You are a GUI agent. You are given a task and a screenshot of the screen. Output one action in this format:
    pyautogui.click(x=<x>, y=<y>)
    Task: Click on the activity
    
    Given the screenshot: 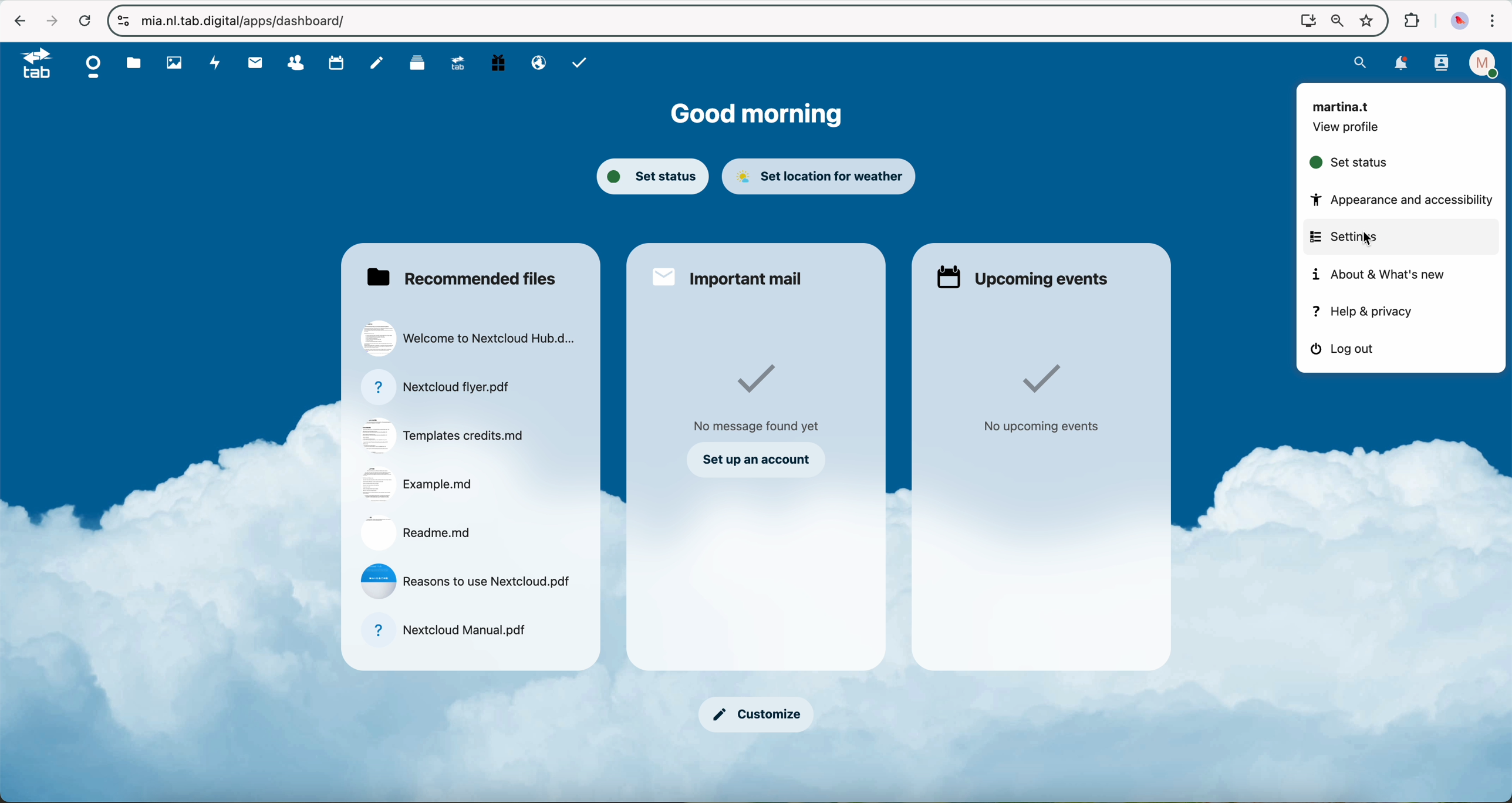 What is the action you would take?
    pyautogui.click(x=214, y=63)
    